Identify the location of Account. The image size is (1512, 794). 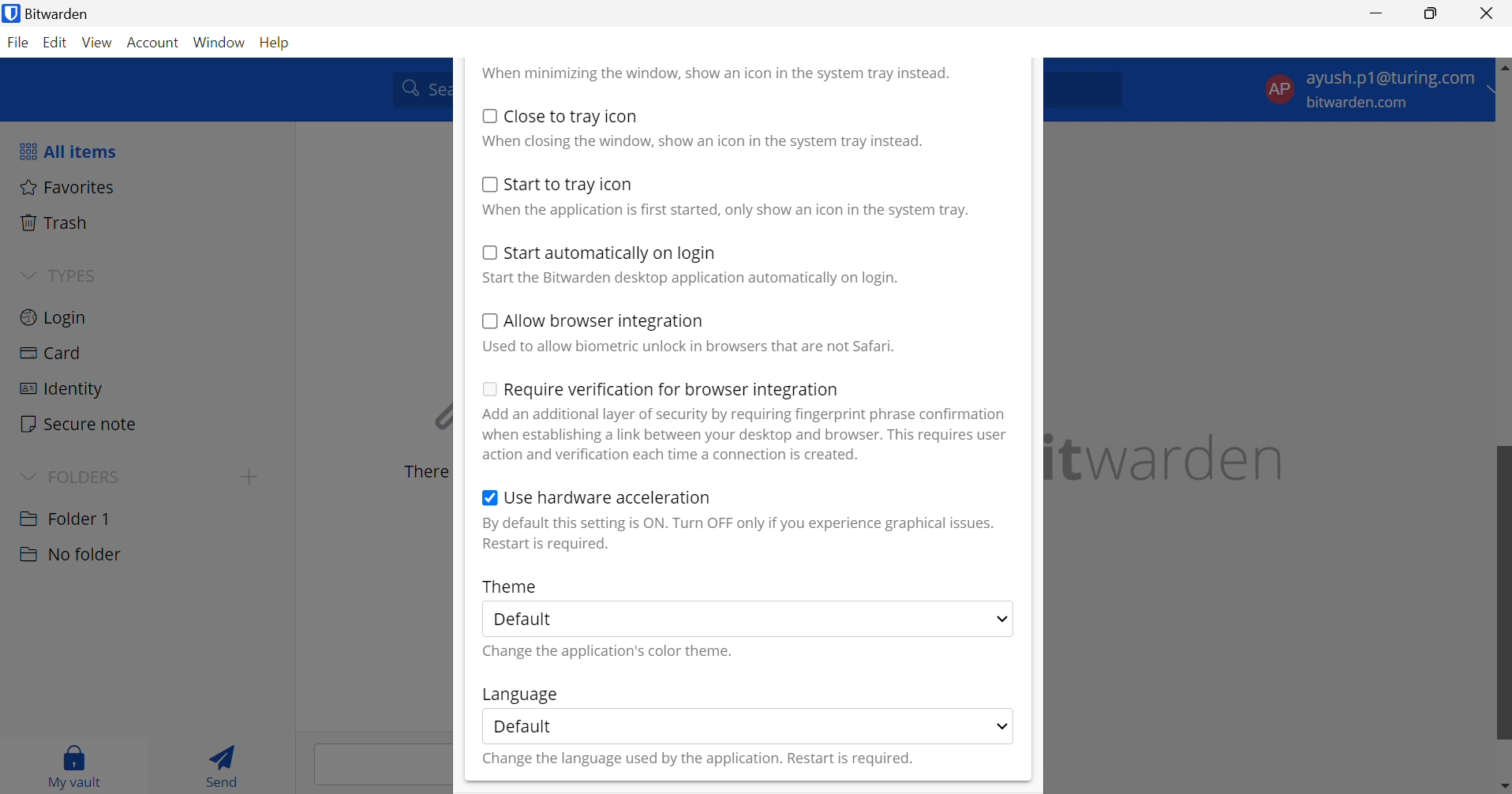
(155, 43).